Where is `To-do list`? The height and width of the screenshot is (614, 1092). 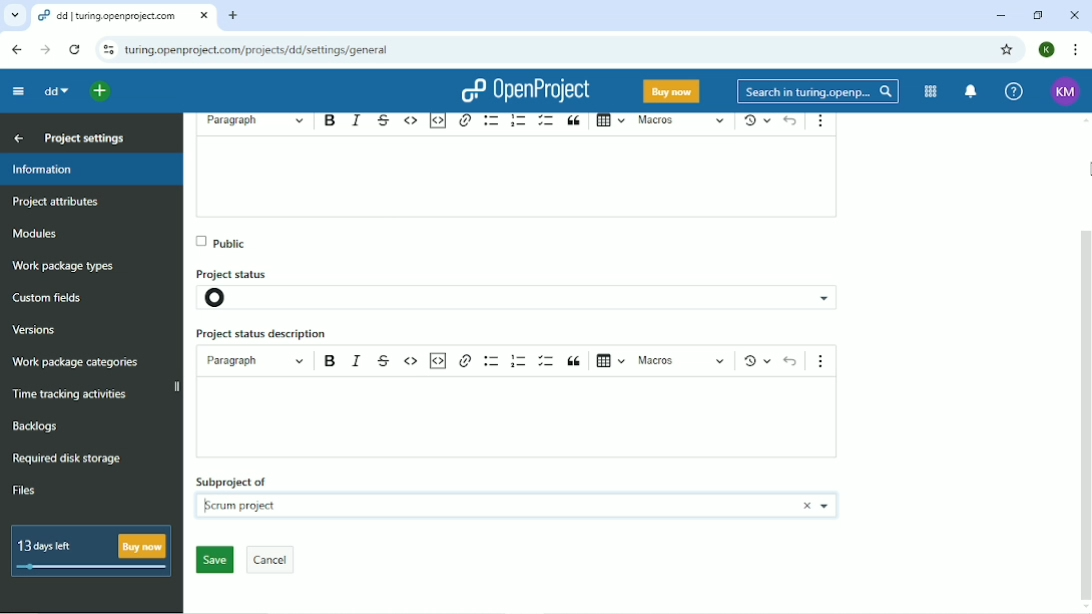 To-do list is located at coordinates (545, 121).